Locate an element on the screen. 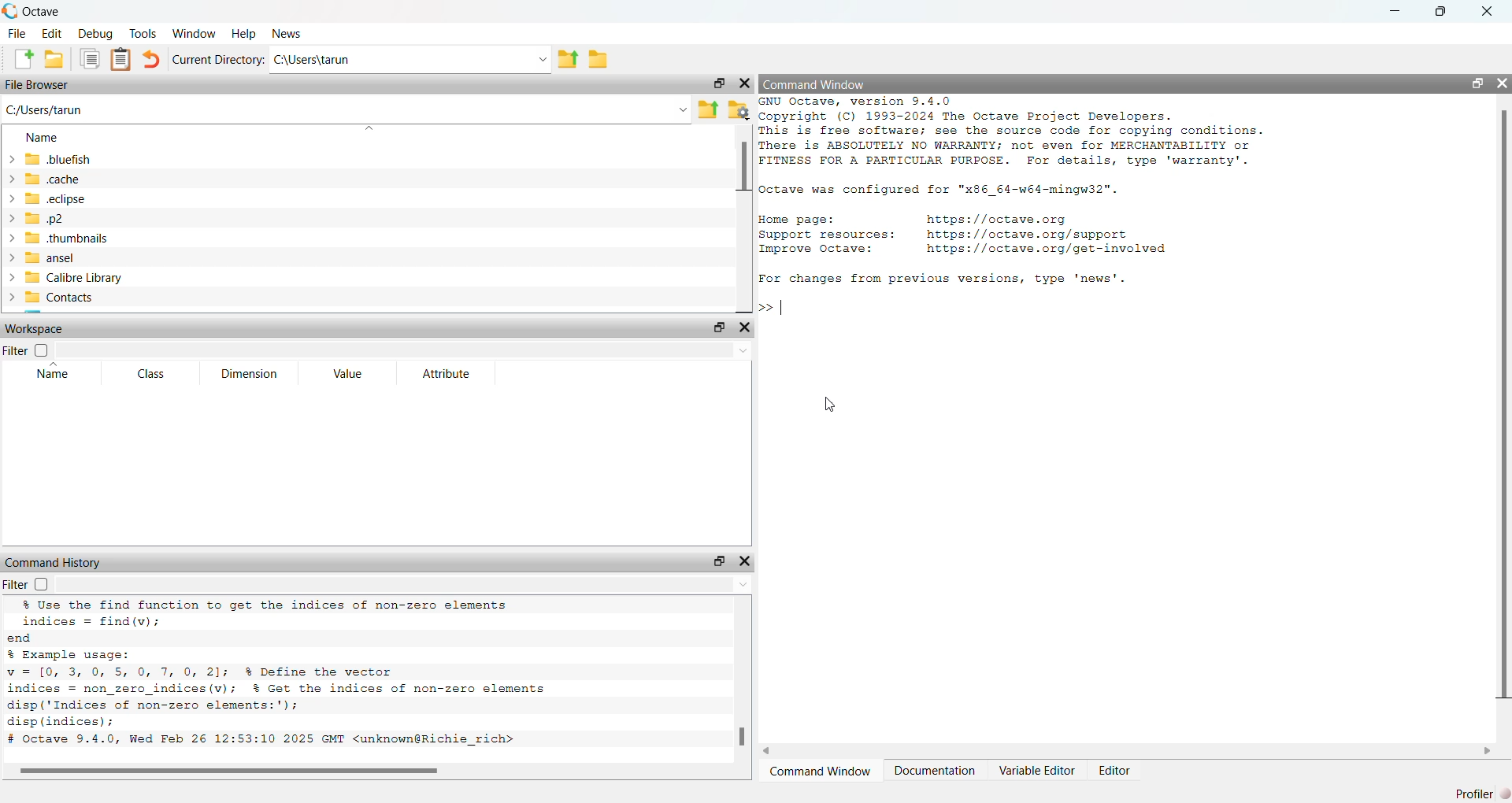   Contacts is located at coordinates (54, 299).